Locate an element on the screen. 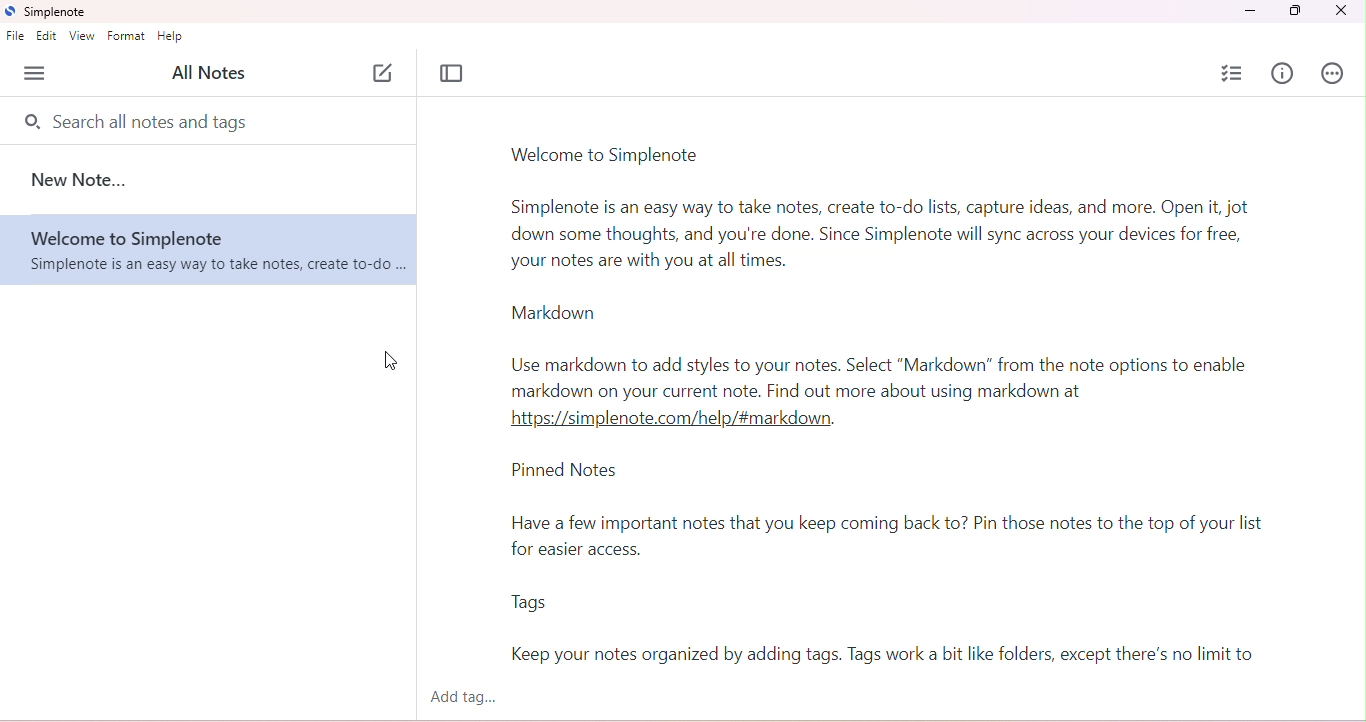 The width and height of the screenshot is (1366, 722). cursor is located at coordinates (393, 359).